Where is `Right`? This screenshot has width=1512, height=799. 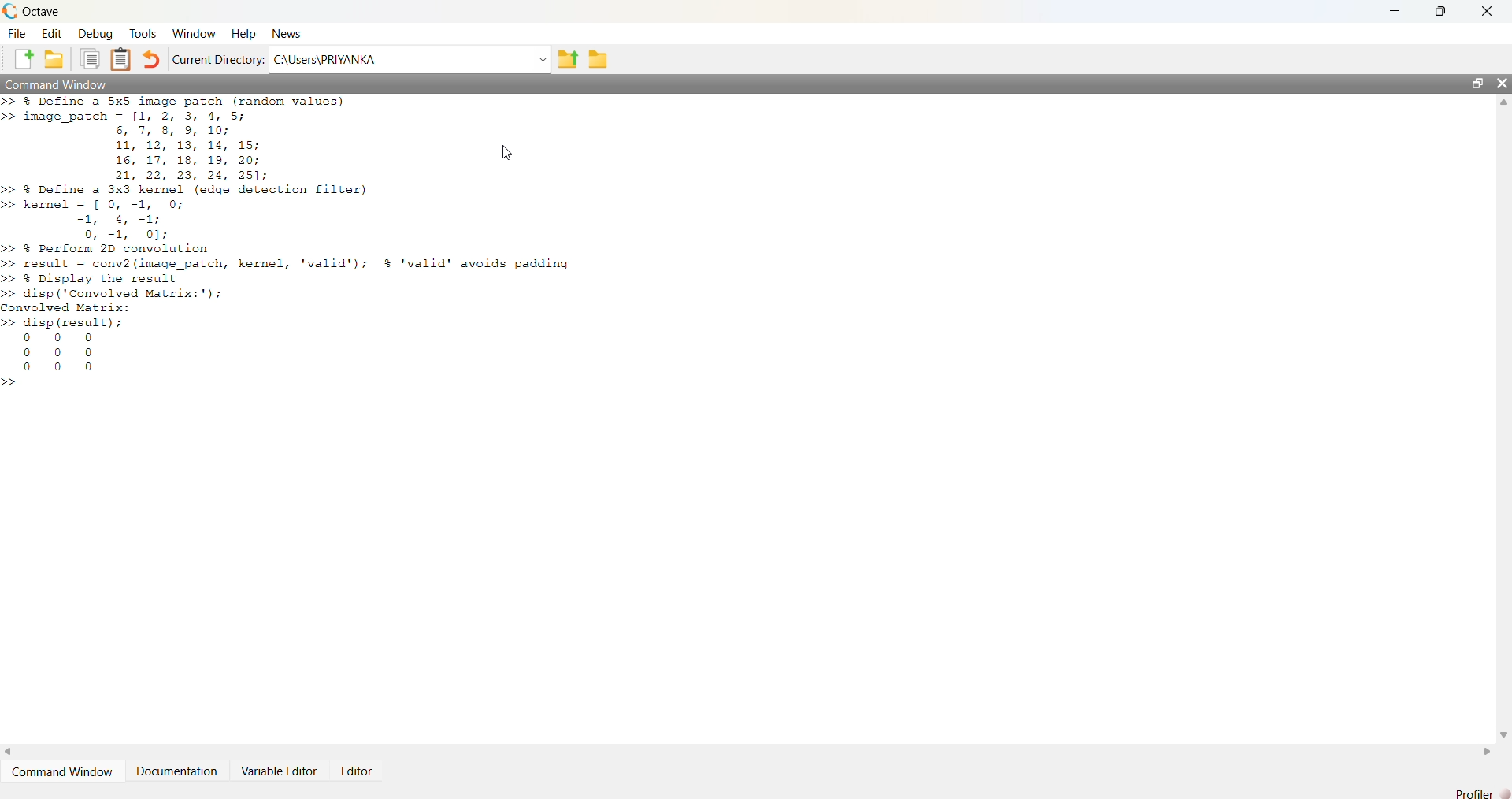 Right is located at coordinates (1489, 749).